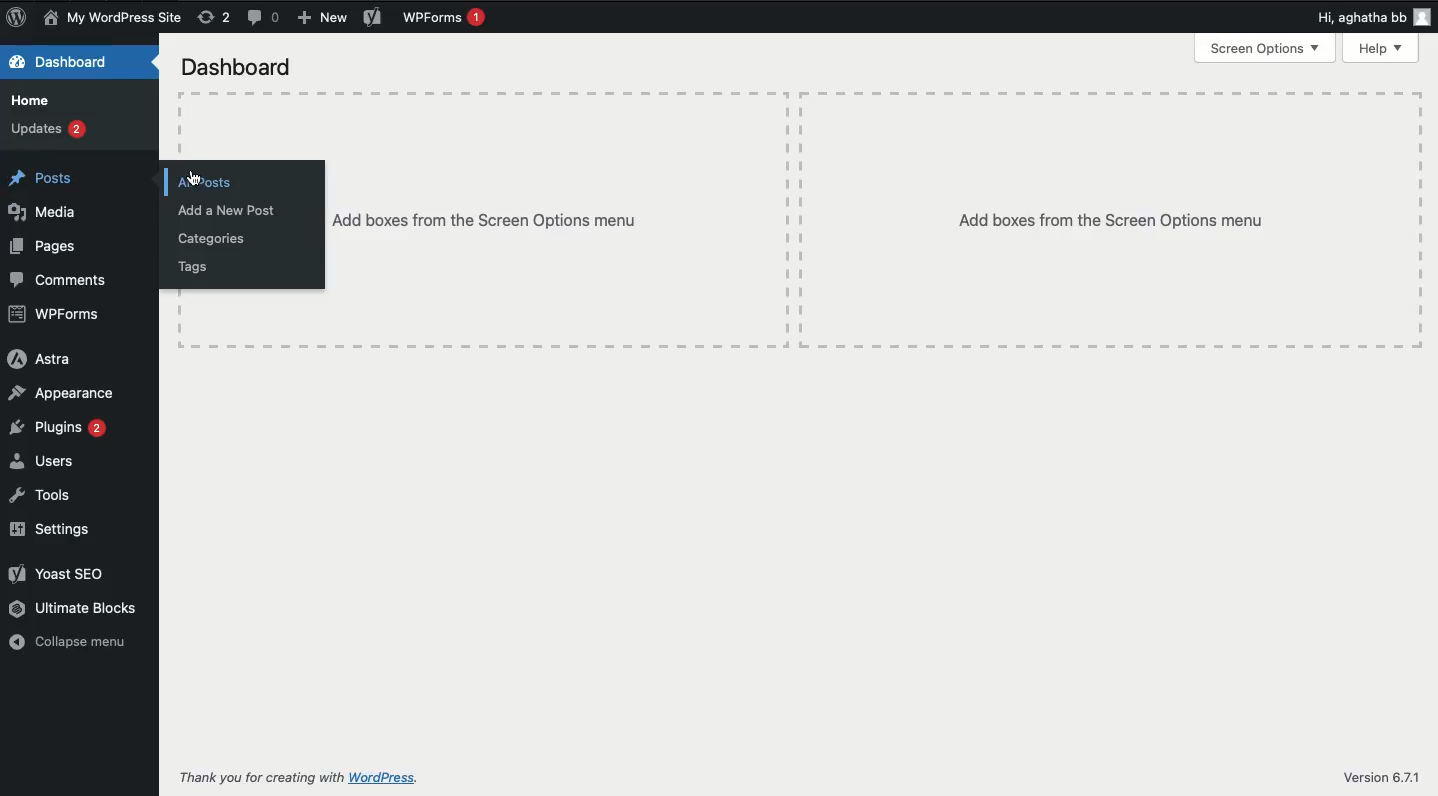 The height and width of the screenshot is (796, 1438). Describe the element at coordinates (196, 177) in the screenshot. I see `cursor` at that location.